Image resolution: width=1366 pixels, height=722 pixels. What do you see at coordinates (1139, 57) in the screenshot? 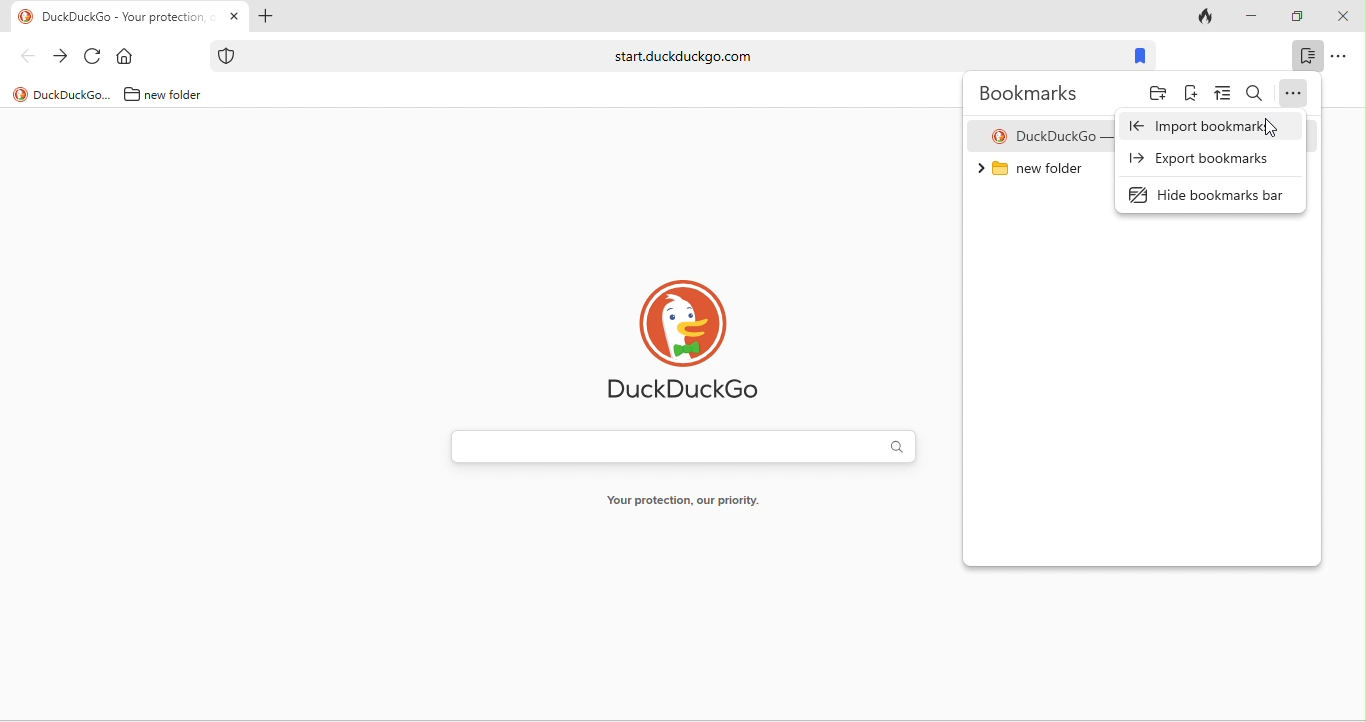
I see `bookmarks` at bounding box center [1139, 57].